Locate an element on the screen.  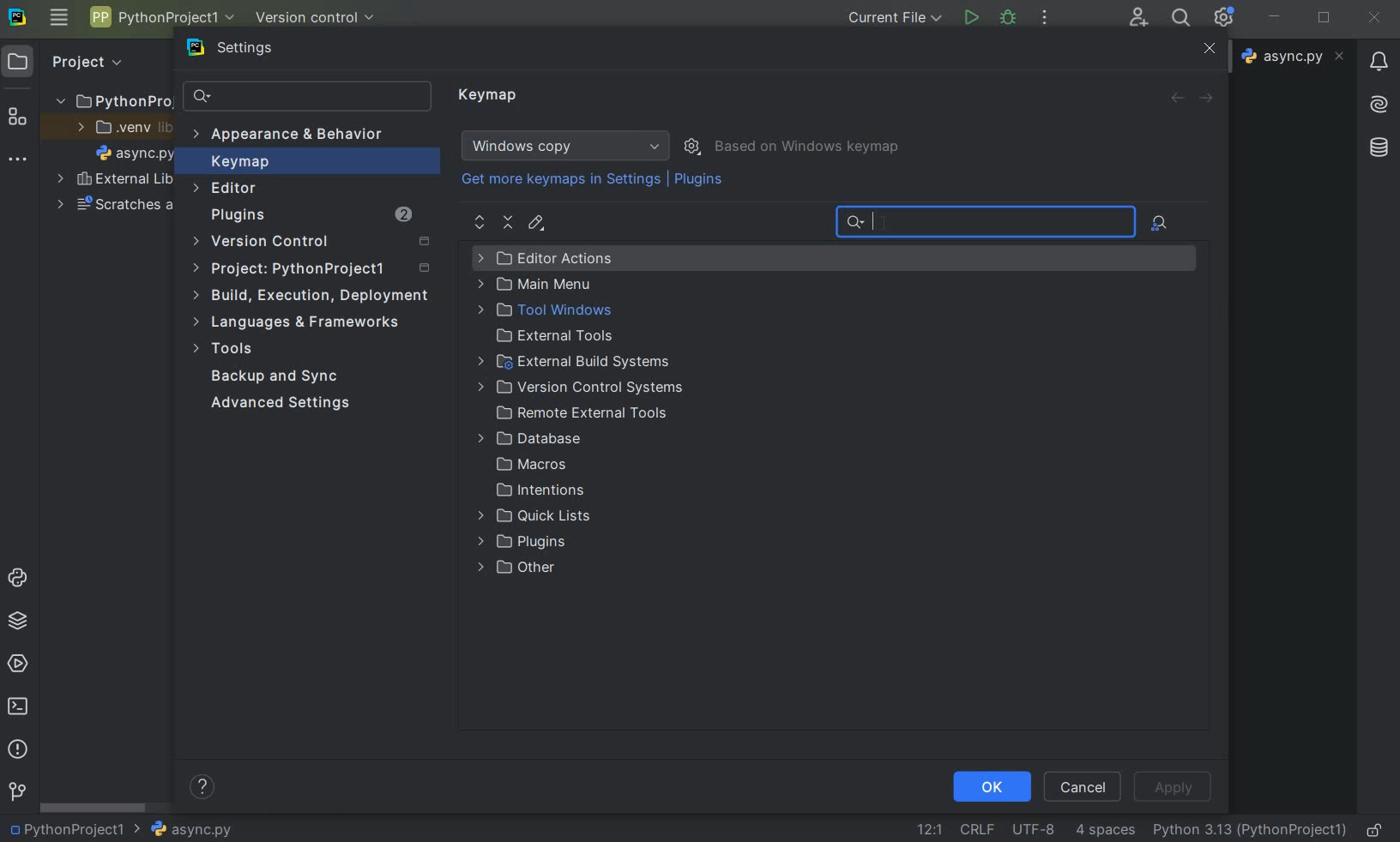
file name is located at coordinates (136, 156).